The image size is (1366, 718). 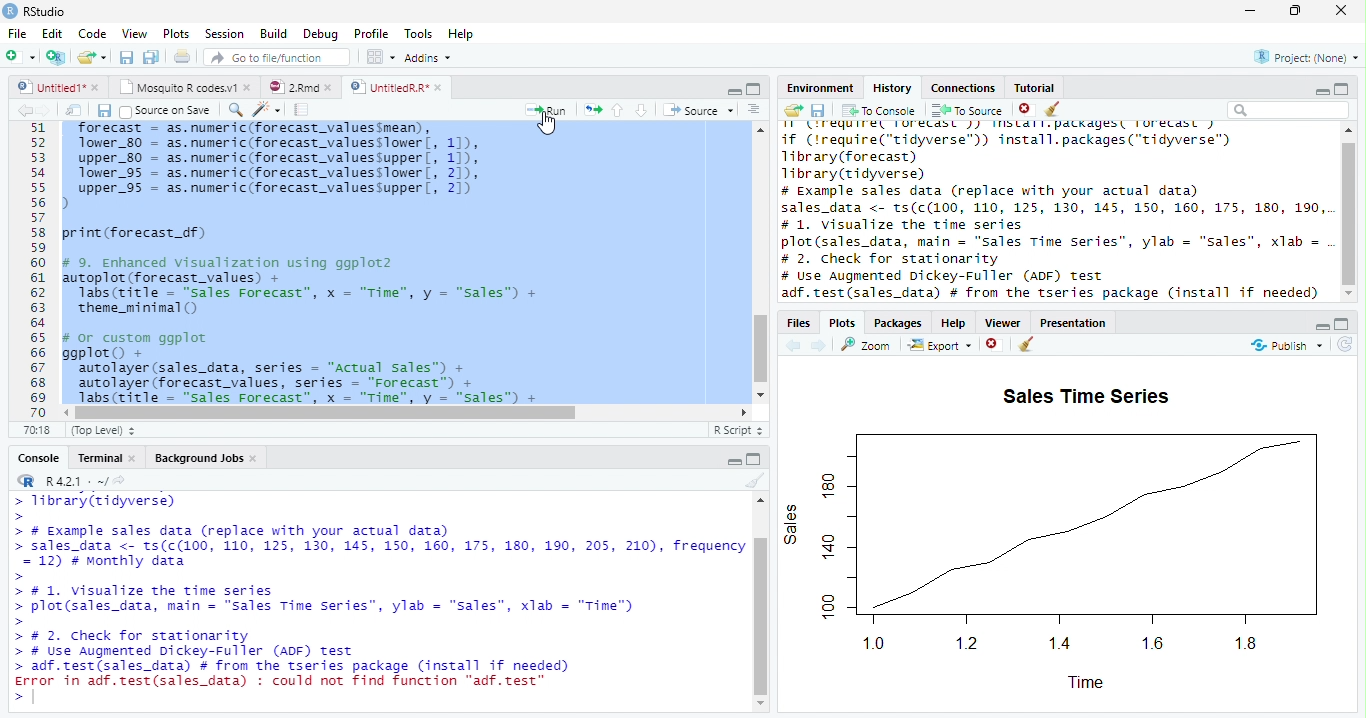 What do you see at coordinates (430, 57) in the screenshot?
I see `Addins` at bounding box center [430, 57].